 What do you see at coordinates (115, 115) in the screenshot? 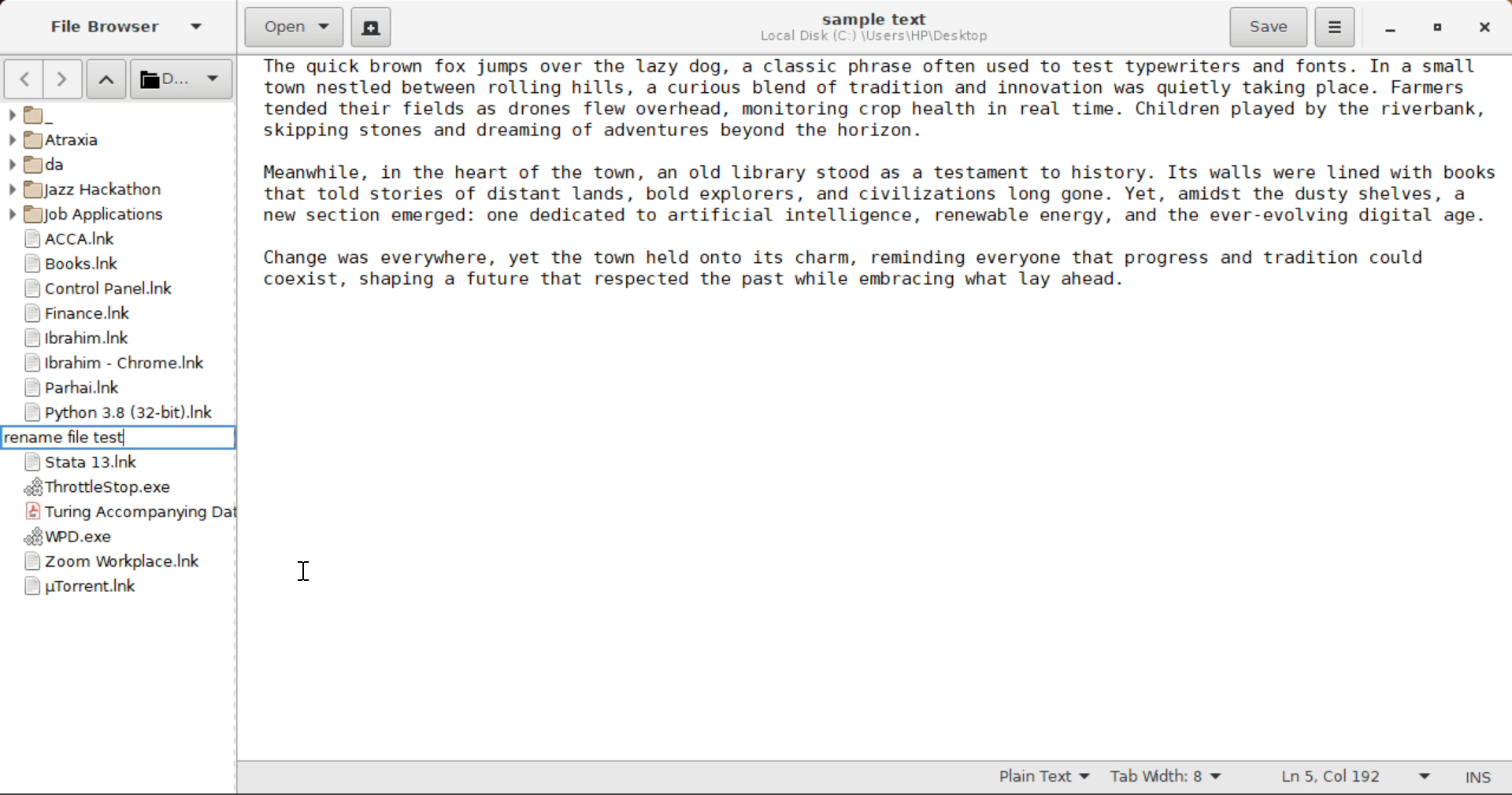
I see `_ Folder` at bounding box center [115, 115].